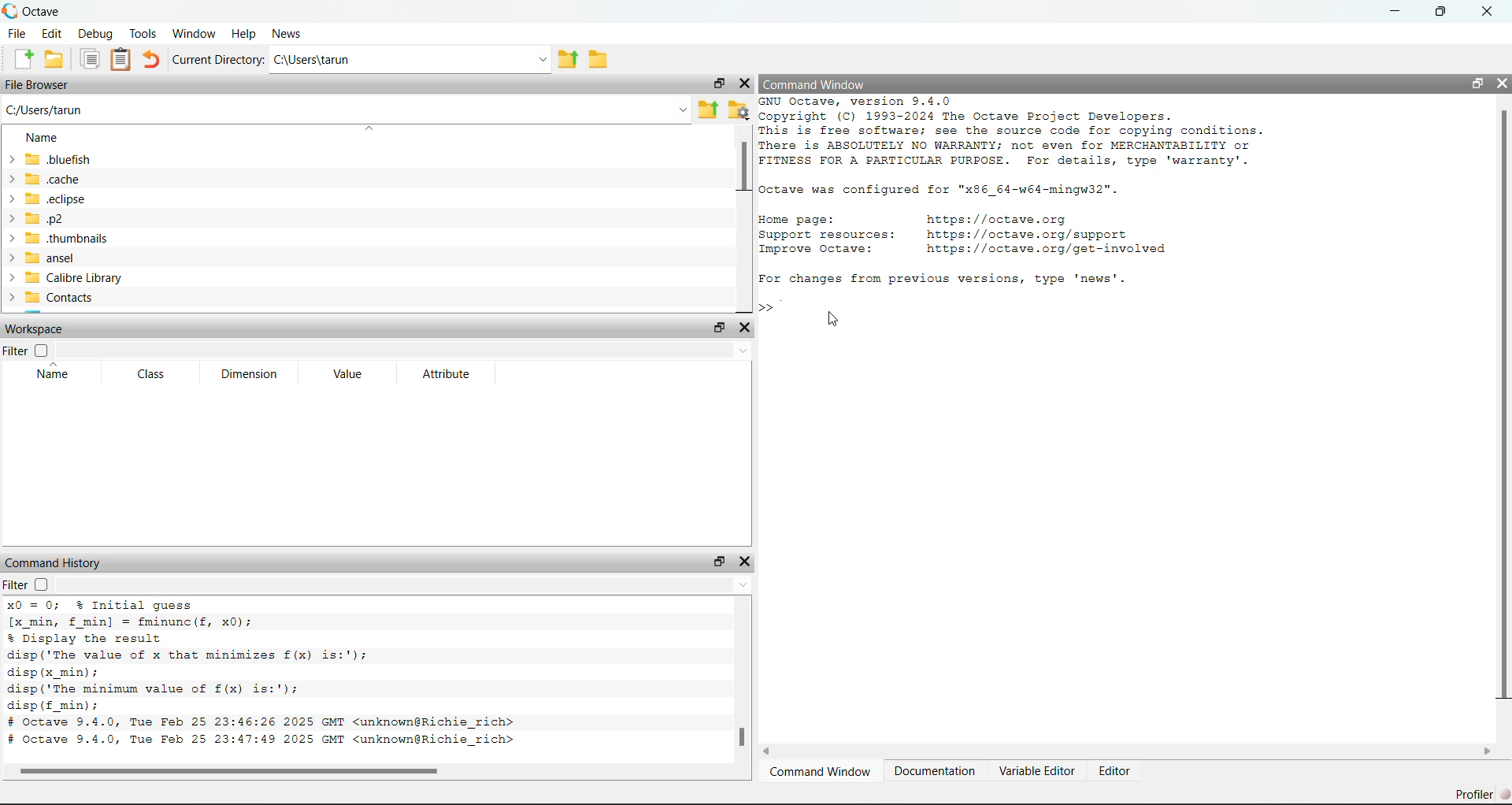 The width and height of the screenshot is (1512, 805). Describe the element at coordinates (740, 169) in the screenshot. I see `Scrollbar` at that location.